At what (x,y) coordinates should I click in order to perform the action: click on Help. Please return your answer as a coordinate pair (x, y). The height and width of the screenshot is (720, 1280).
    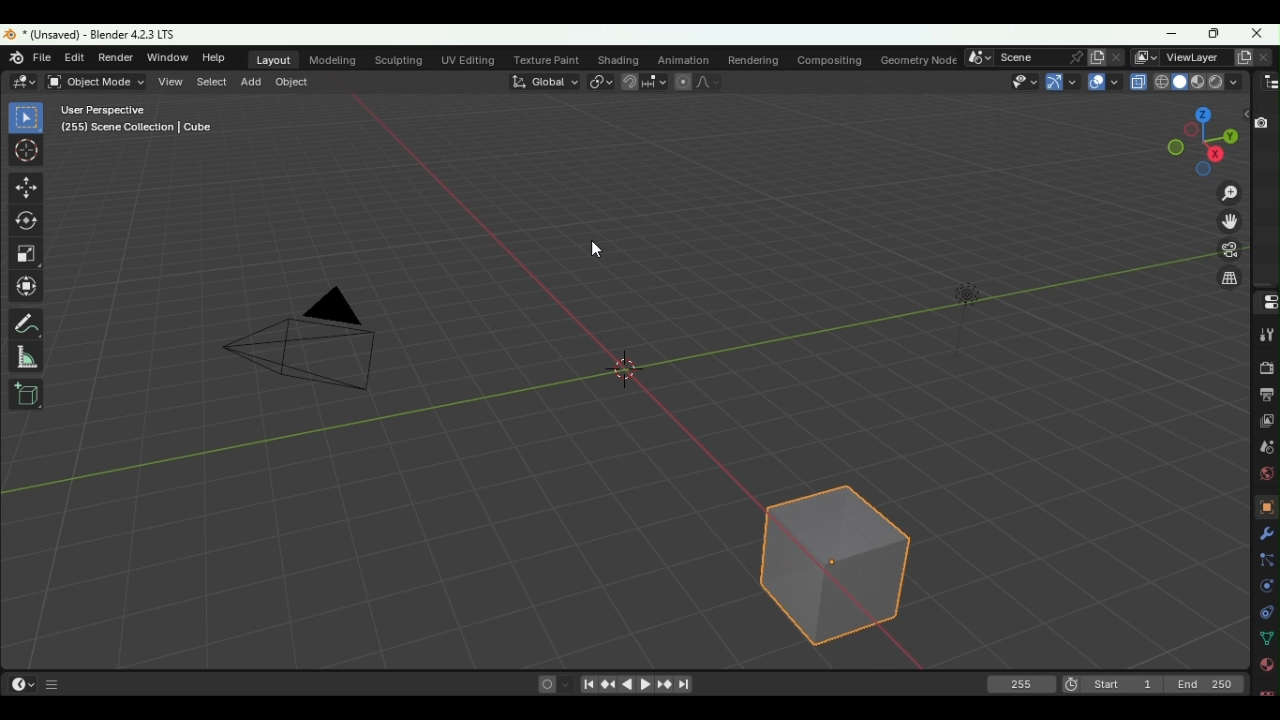
    Looking at the image, I should click on (214, 58).